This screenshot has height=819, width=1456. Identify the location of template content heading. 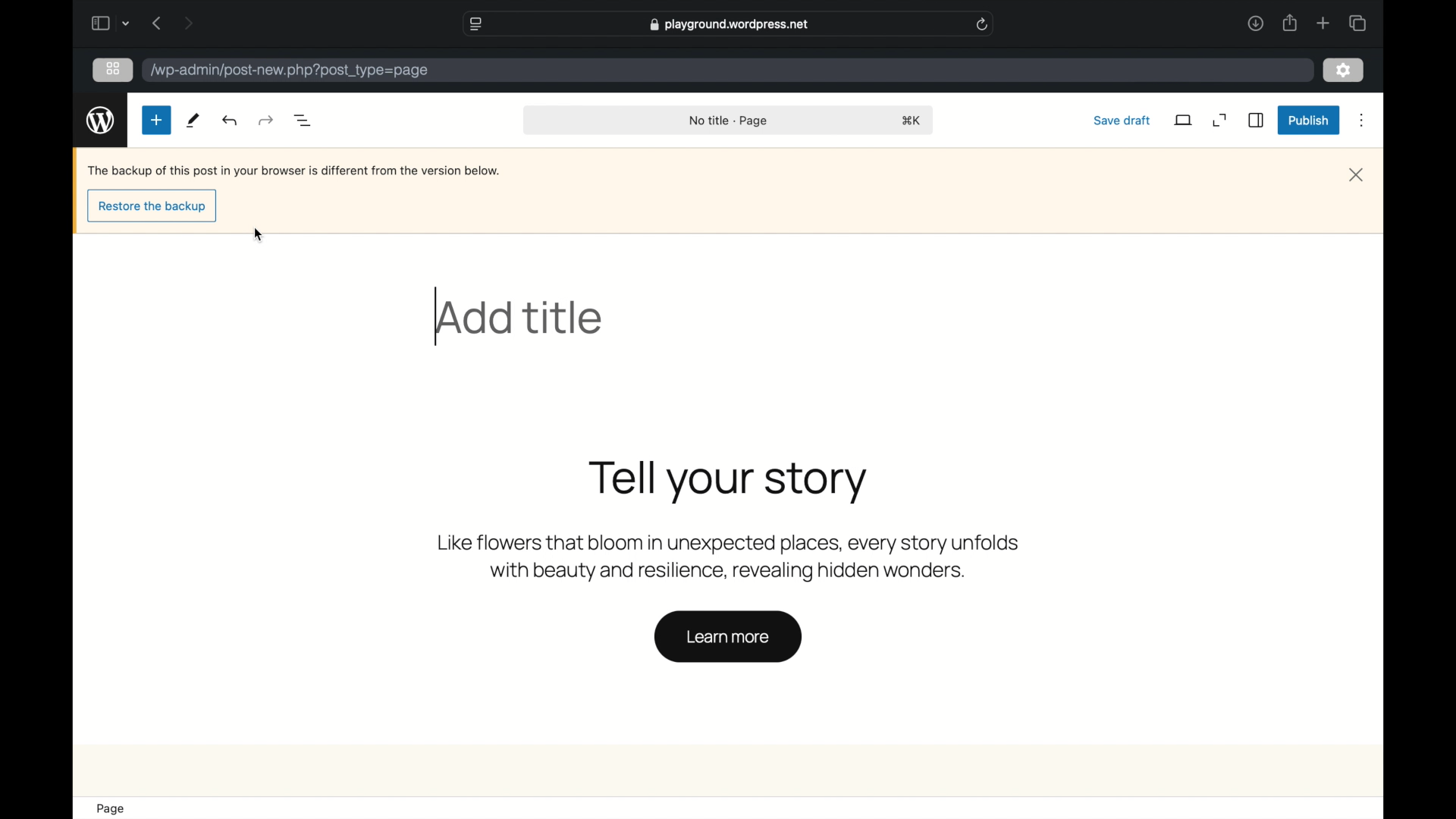
(729, 482).